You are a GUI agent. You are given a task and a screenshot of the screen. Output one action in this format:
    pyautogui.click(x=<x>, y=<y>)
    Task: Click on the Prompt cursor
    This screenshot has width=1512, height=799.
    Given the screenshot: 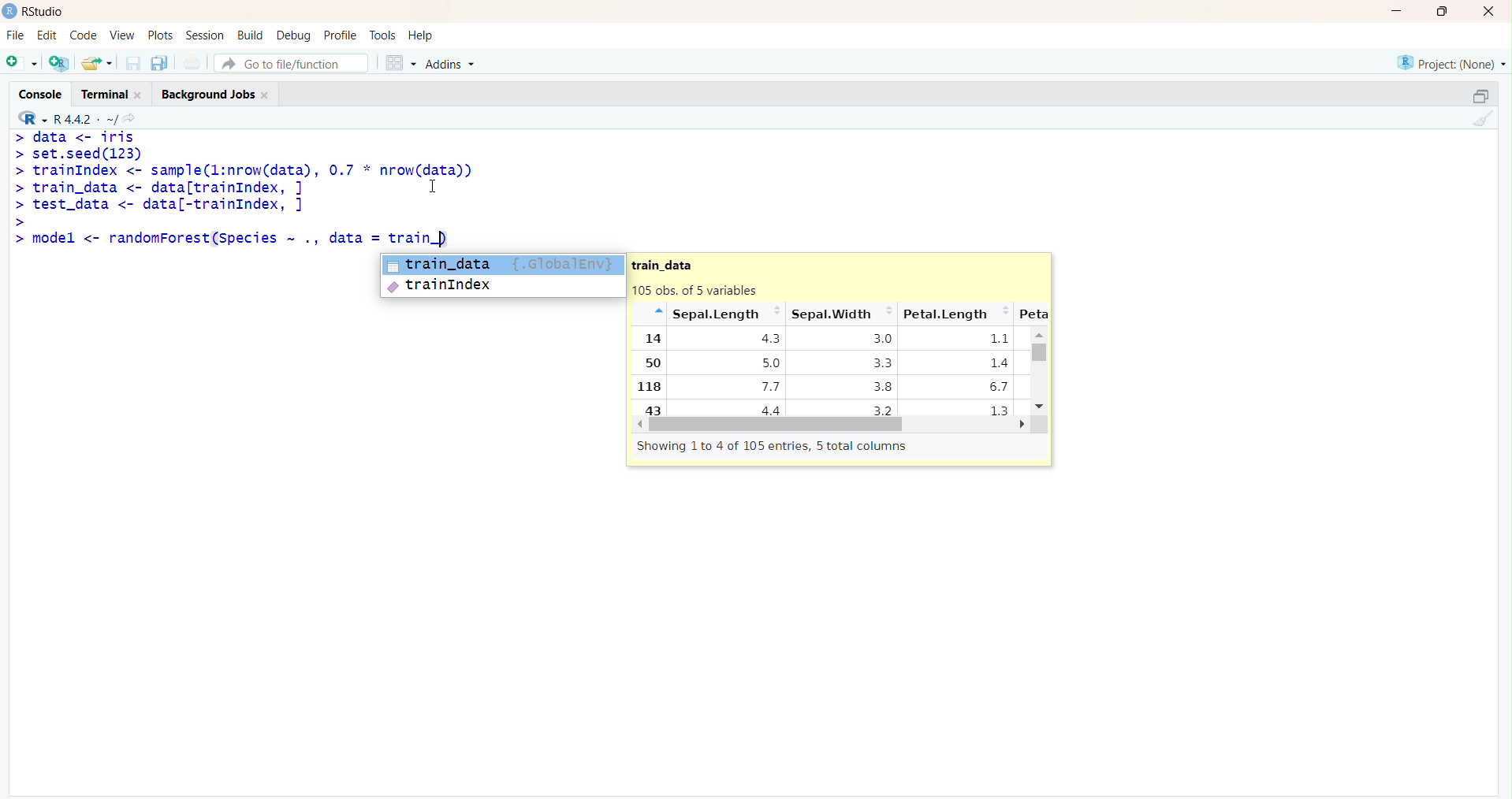 What is the action you would take?
    pyautogui.click(x=15, y=238)
    